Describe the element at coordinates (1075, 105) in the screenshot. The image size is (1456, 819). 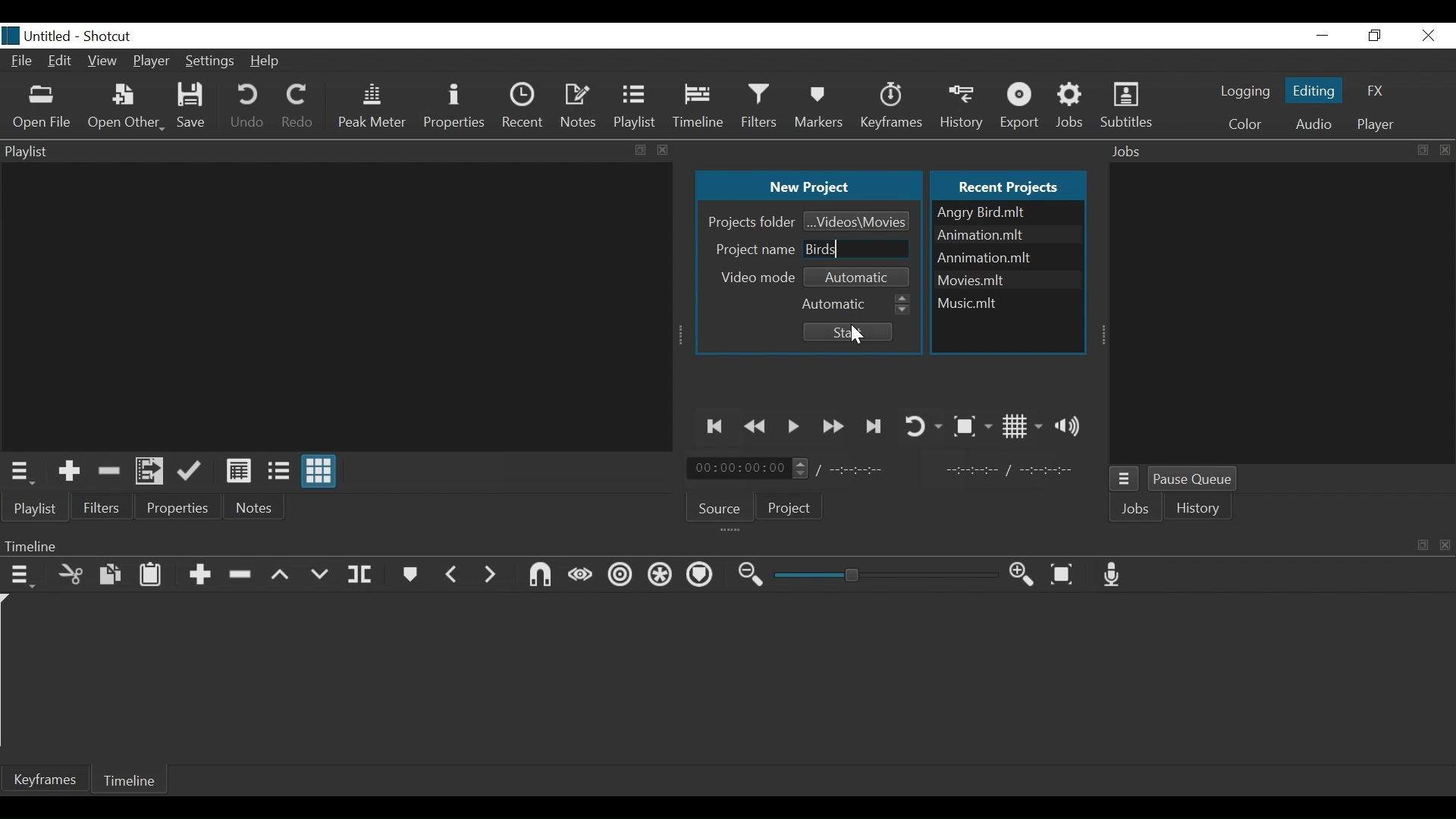
I see `Jobs` at that location.